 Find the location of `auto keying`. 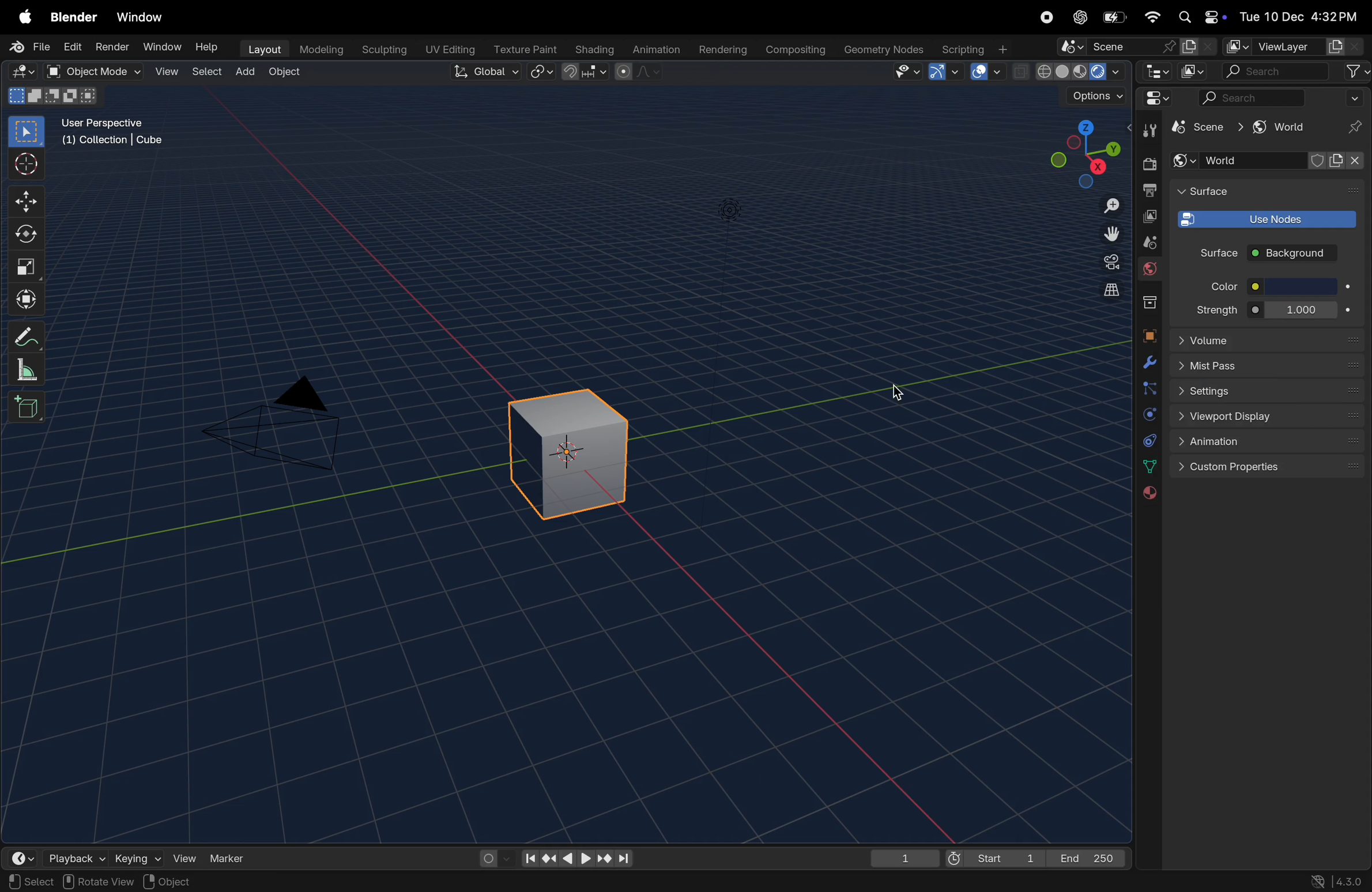

auto keying is located at coordinates (492, 857).